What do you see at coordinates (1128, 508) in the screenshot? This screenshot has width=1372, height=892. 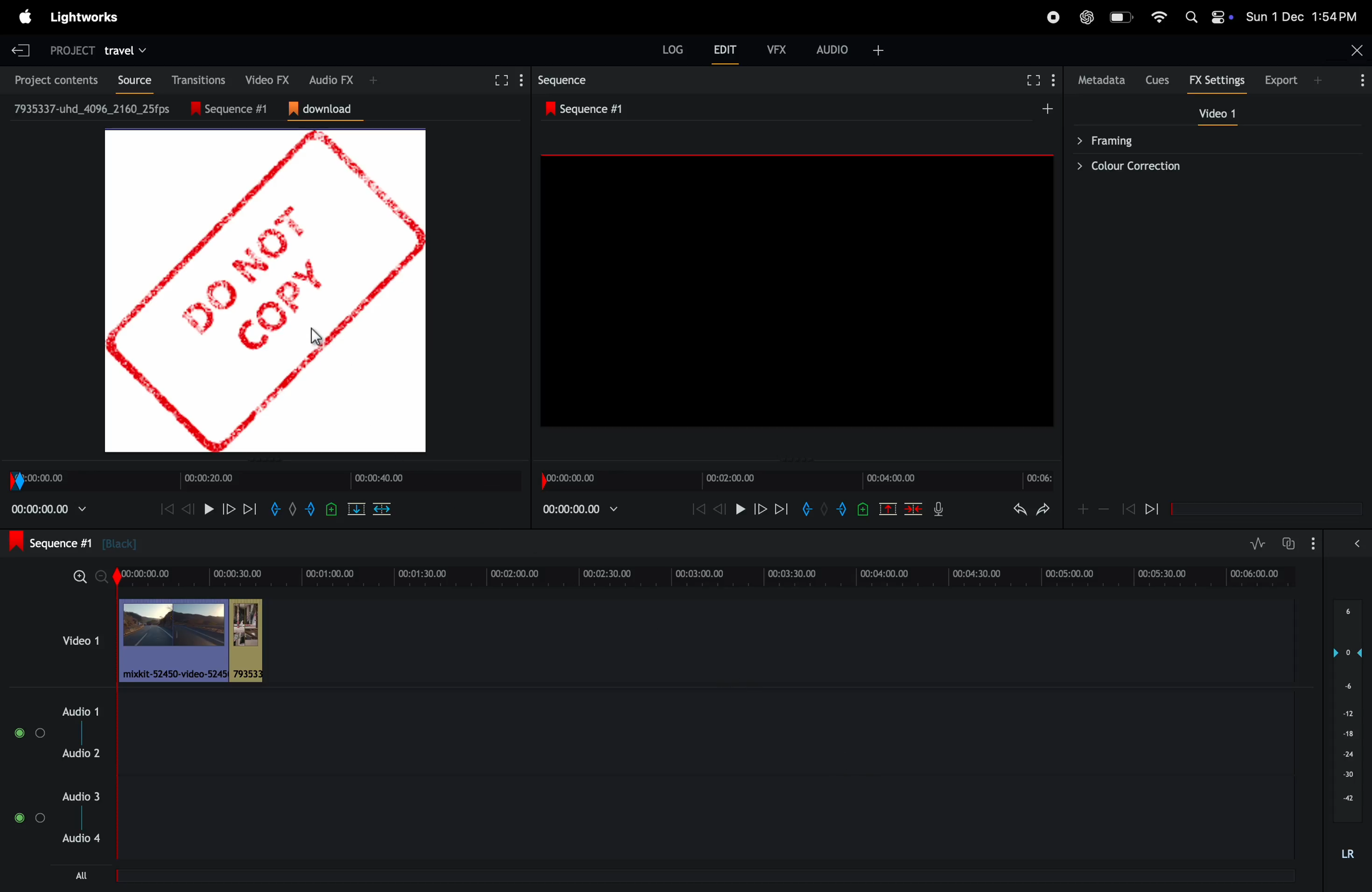 I see `backward` at bounding box center [1128, 508].